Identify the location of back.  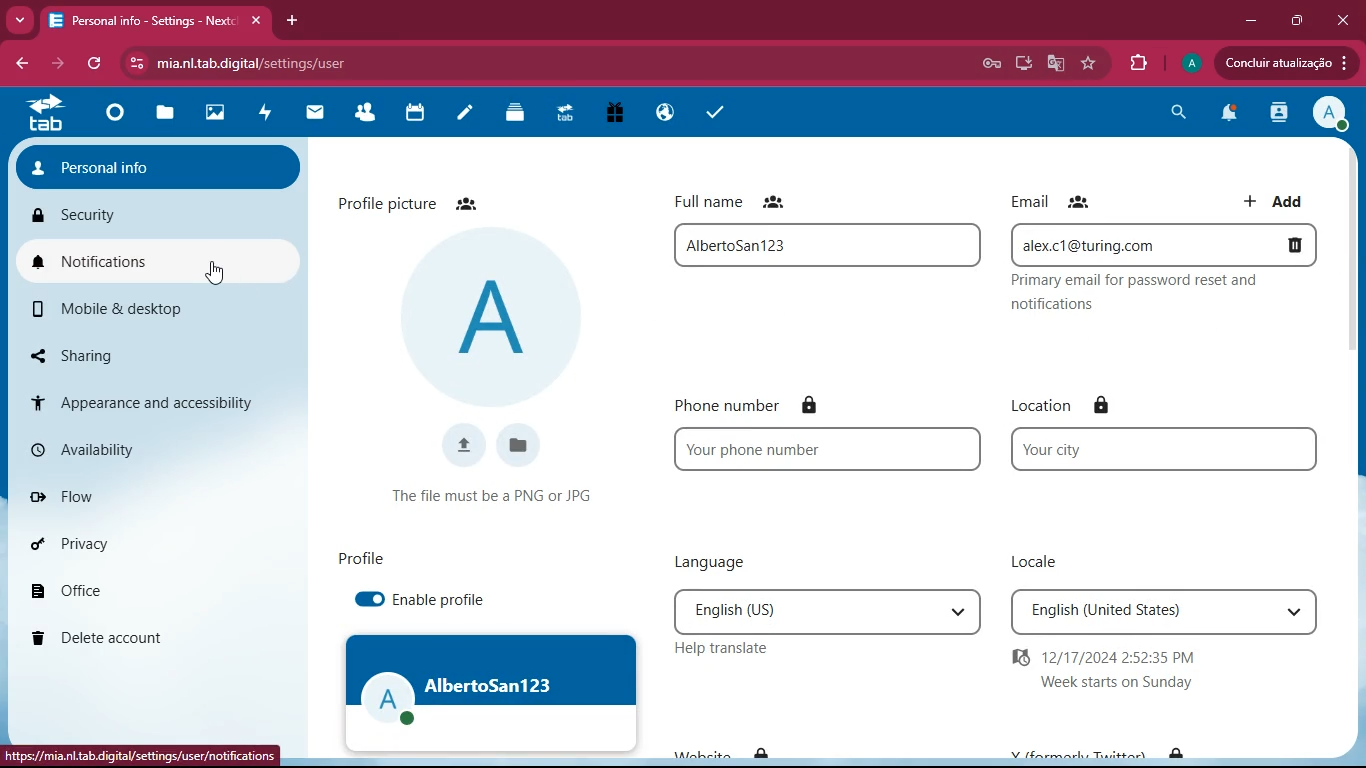
(21, 64).